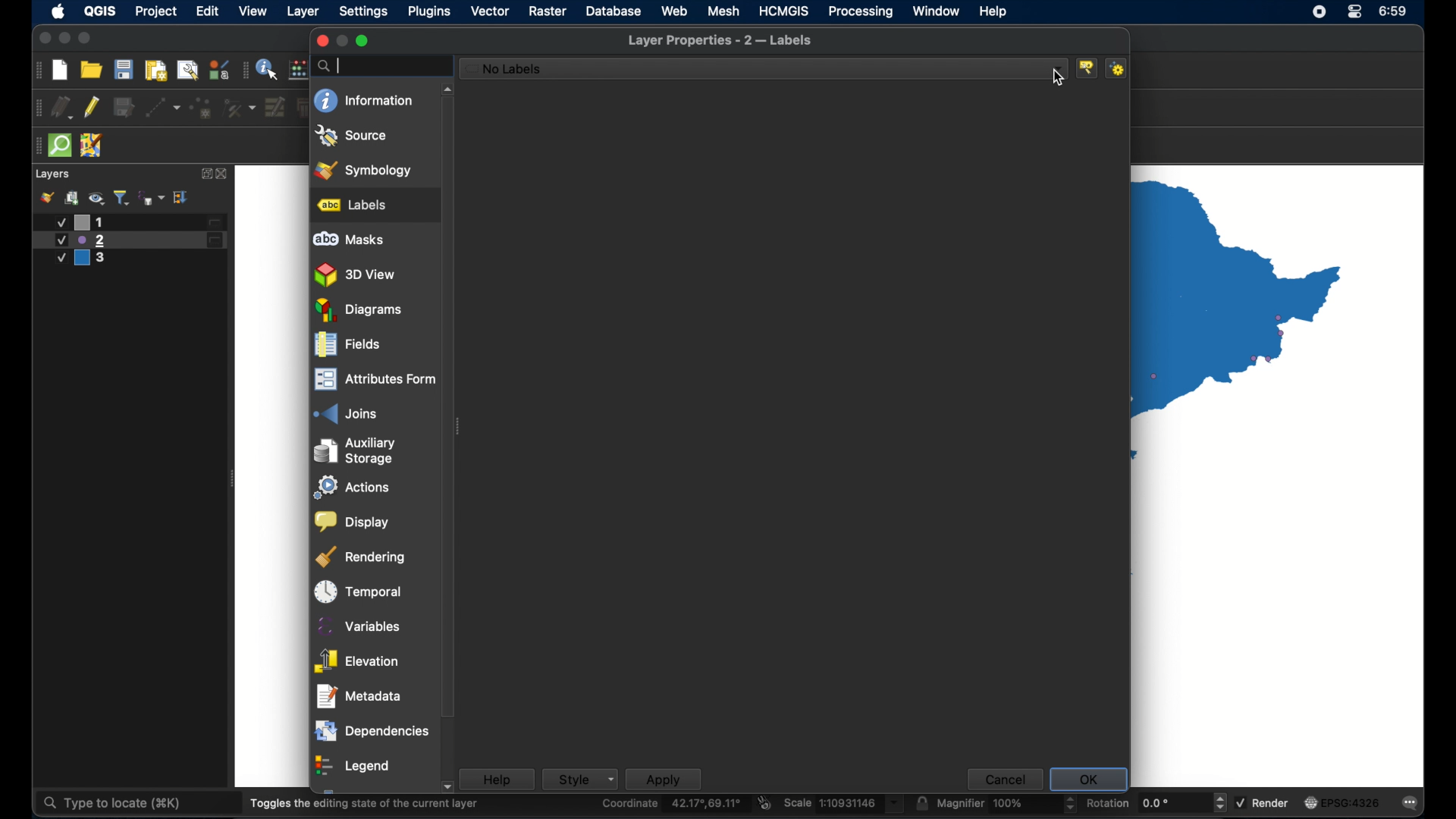 This screenshot has height=819, width=1456. What do you see at coordinates (1156, 802) in the screenshot?
I see `rotation` at bounding box center [1156, 802].